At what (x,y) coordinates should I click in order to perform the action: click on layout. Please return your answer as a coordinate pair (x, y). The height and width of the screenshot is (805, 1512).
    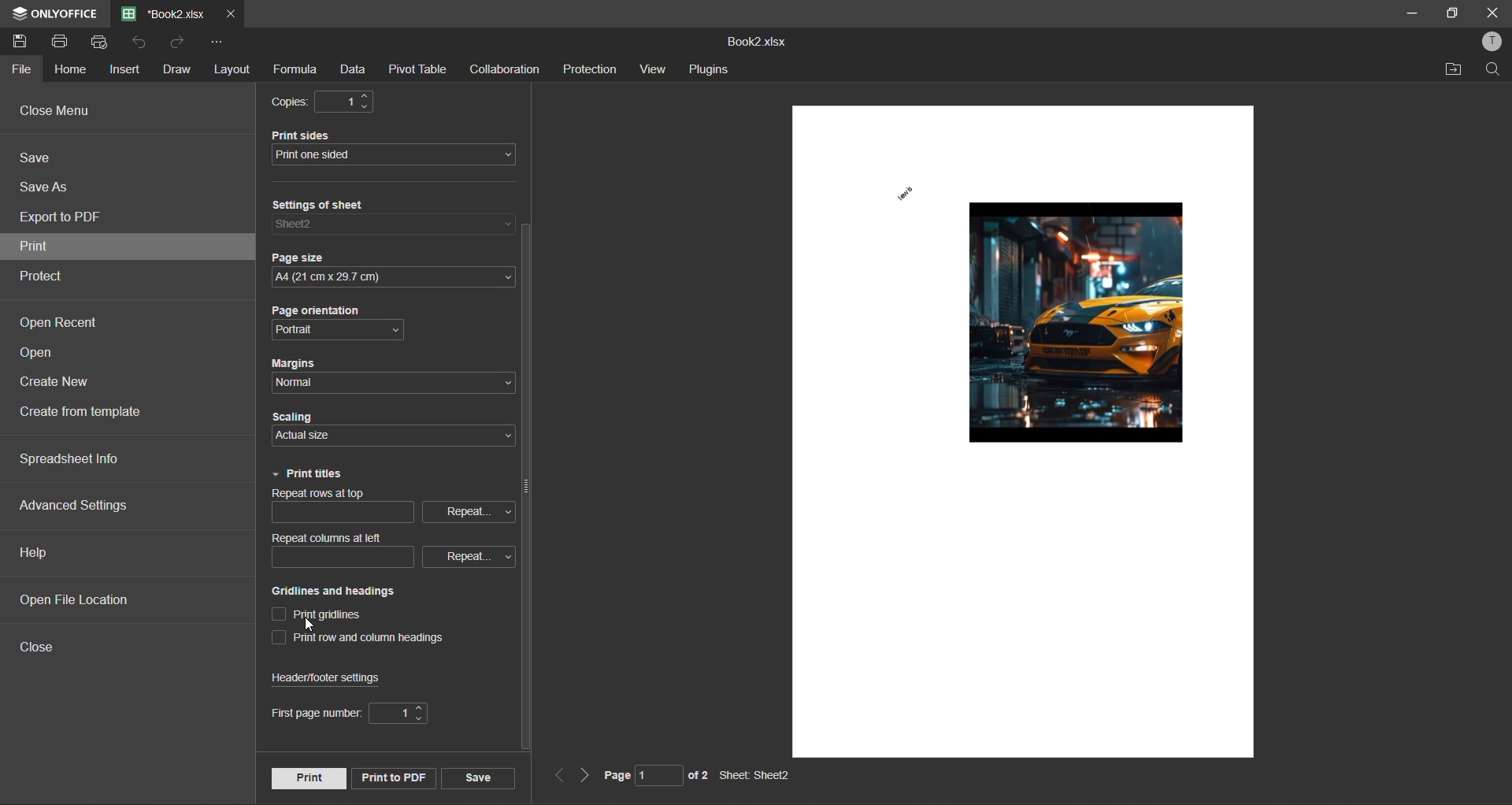
    Looking at the image, I should click on (235, 72).